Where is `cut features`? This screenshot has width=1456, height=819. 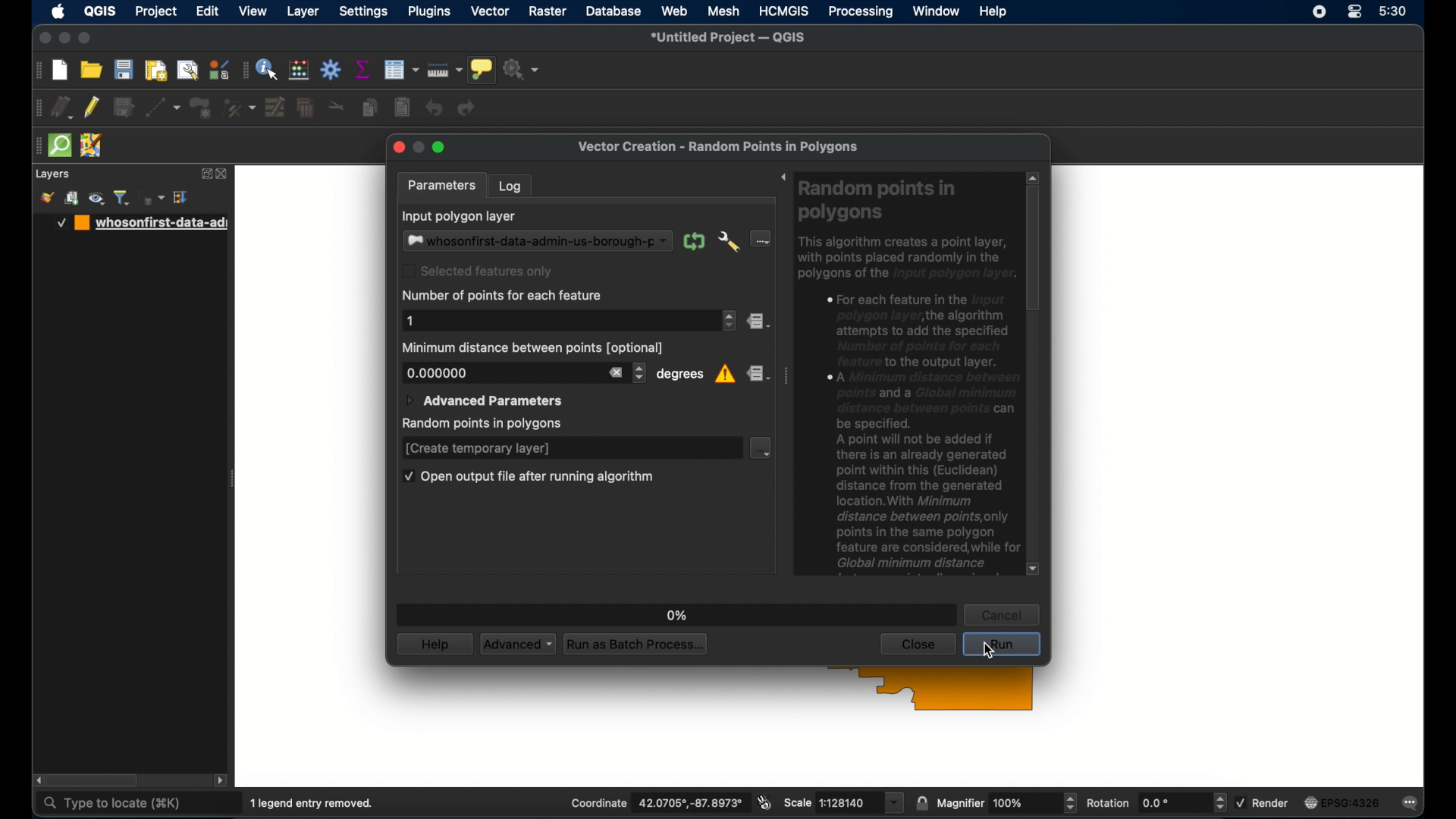
cut features is located at coordinates (336, 107).